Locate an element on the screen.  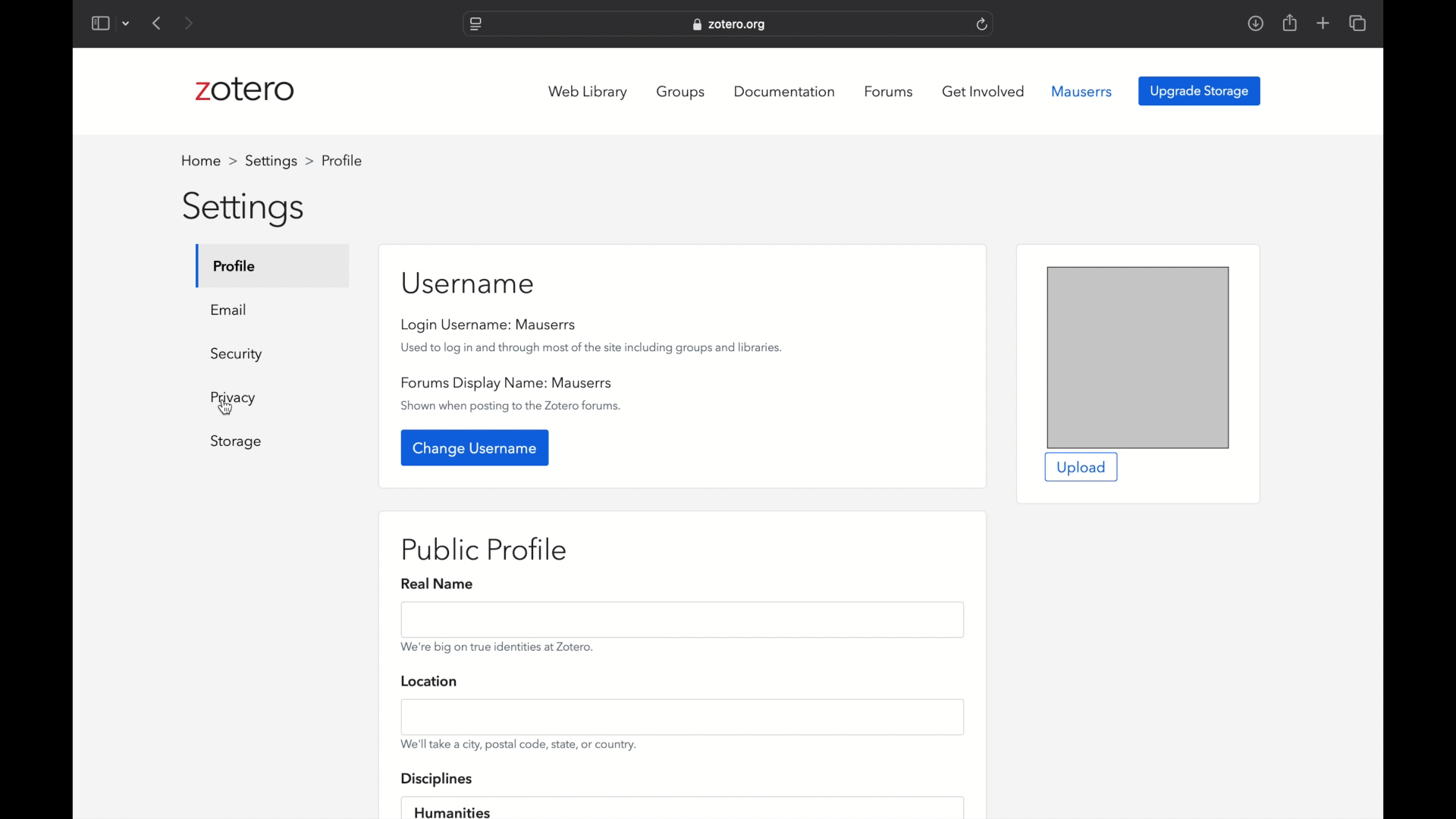
settings is located at coordinates (281, 161).